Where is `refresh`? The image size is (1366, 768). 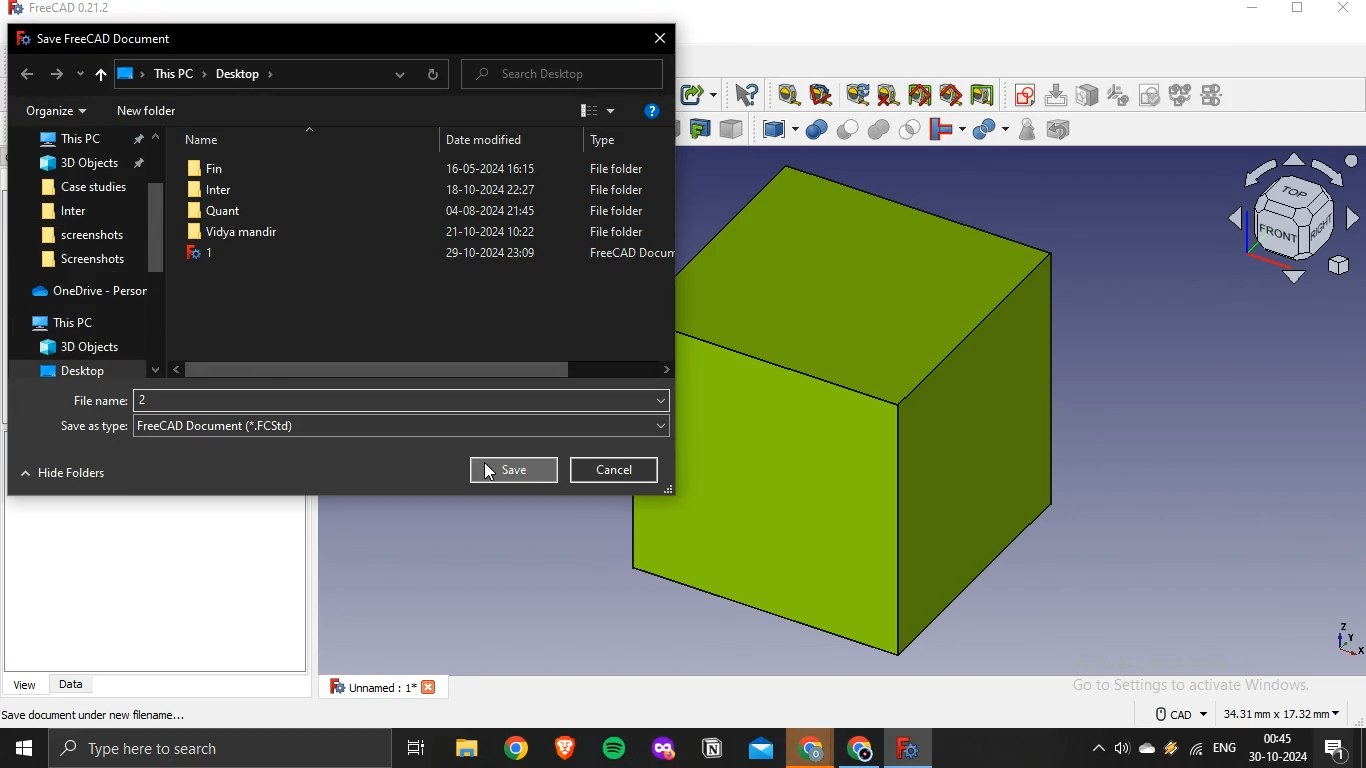 refresh is located at coordinates (857, 95).